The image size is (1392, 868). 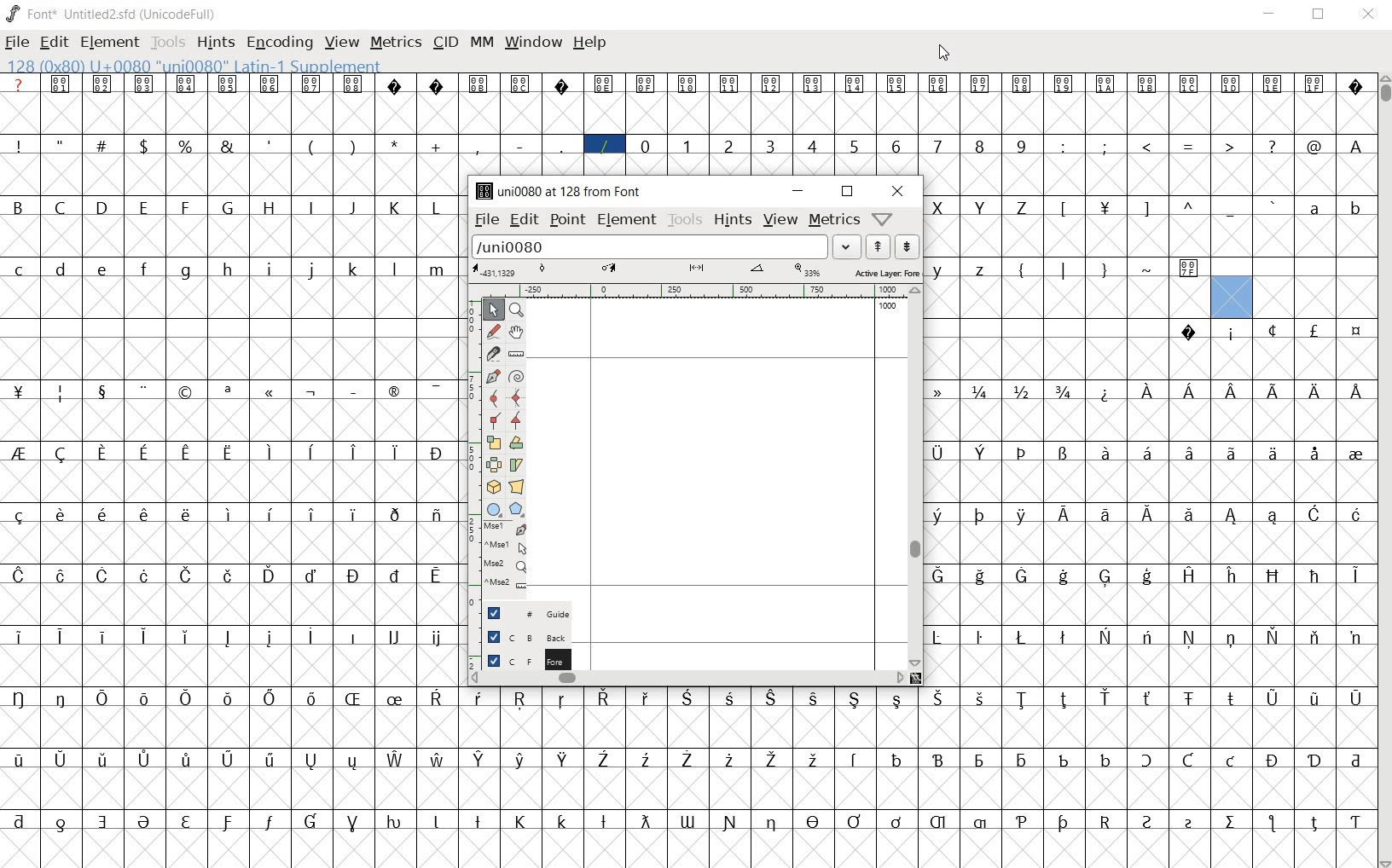 I want to click on glyph, so click(x=1231, y=822).